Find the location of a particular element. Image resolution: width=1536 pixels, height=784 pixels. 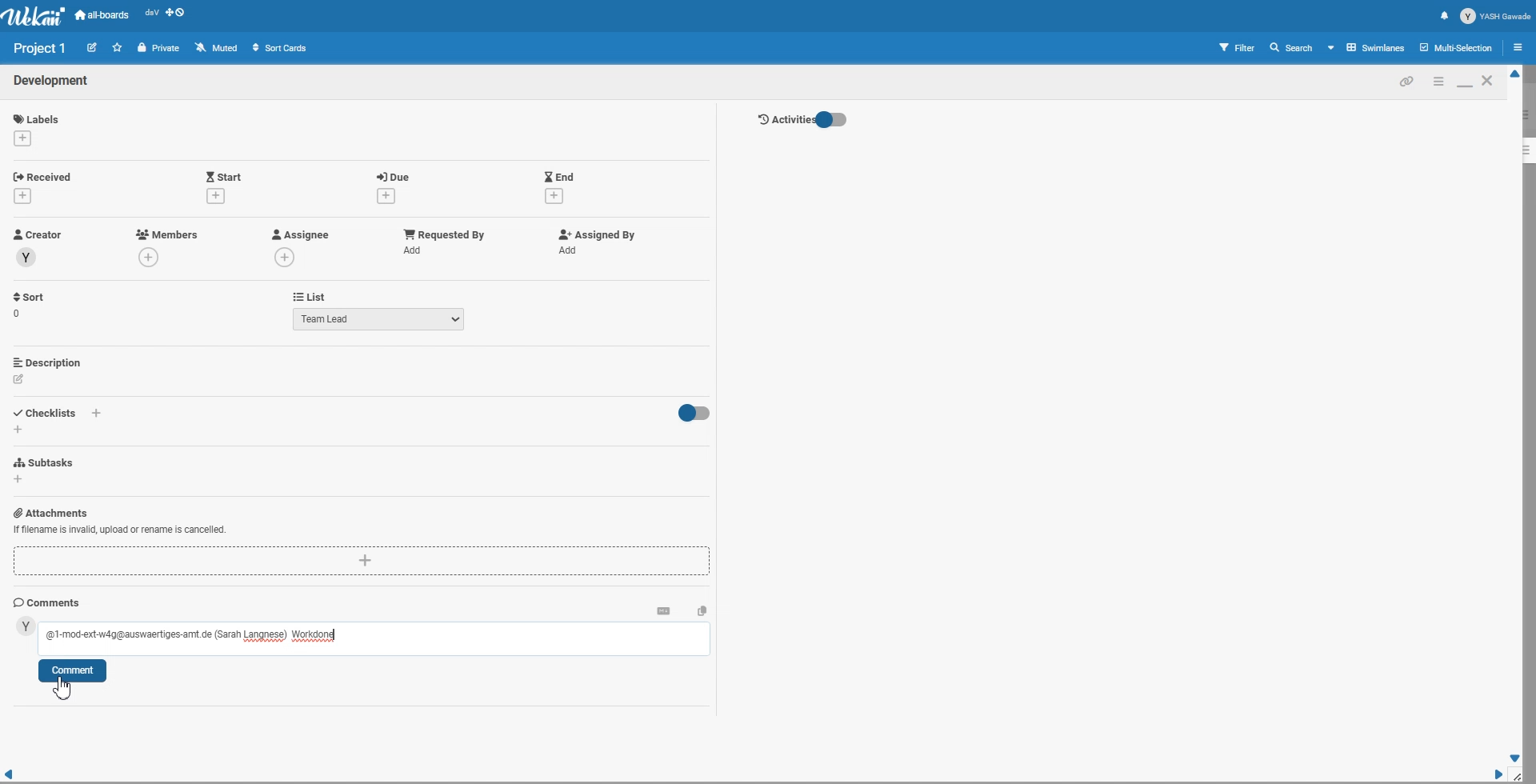

Add Labels is located at coordinates (38, 116).